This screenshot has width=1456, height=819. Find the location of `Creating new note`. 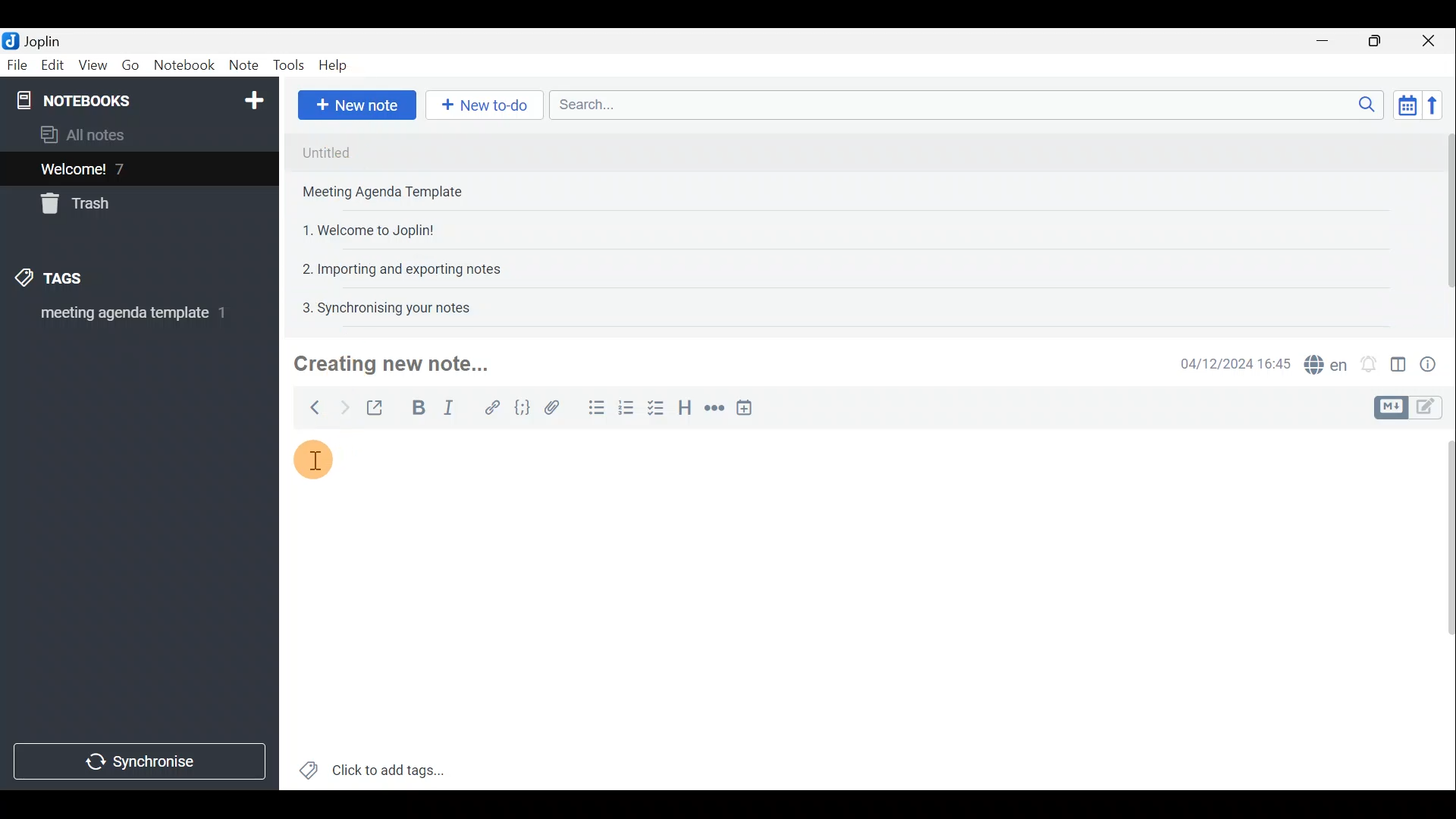

Creating new note is located at coordinates (392, 365).